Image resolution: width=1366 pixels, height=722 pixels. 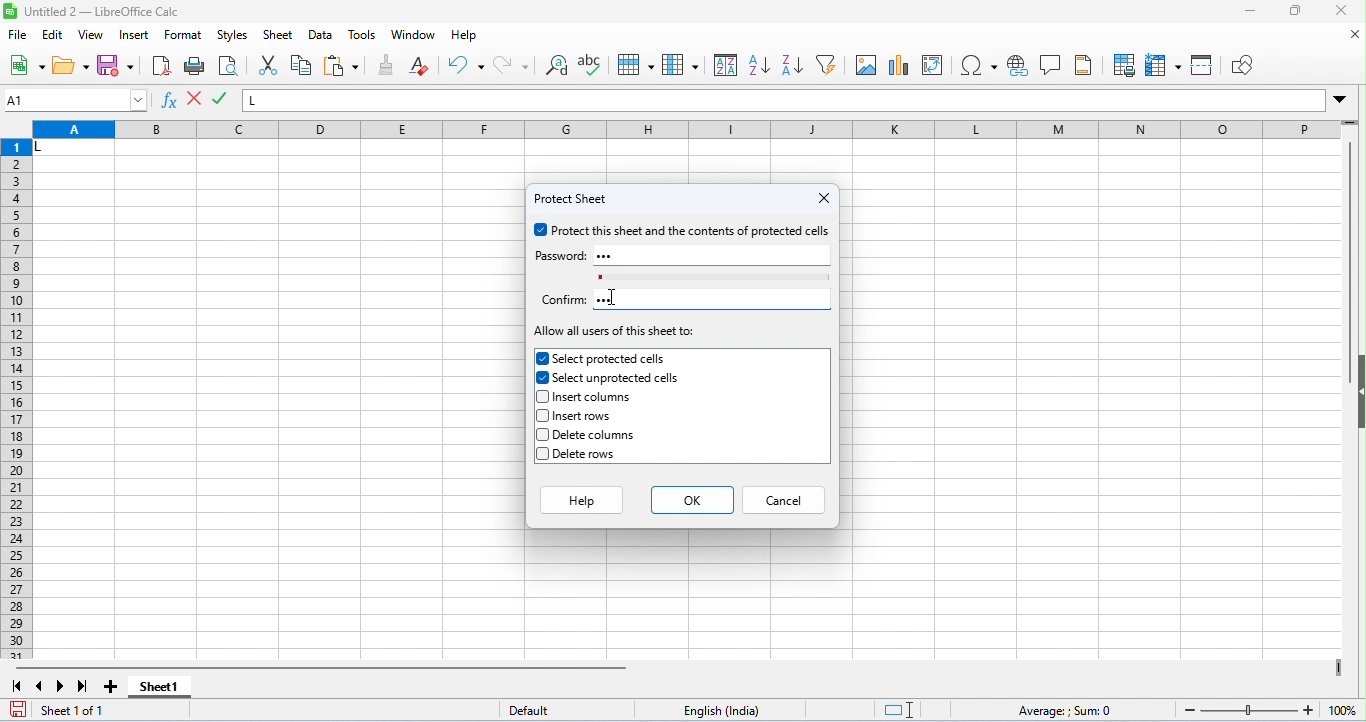 I want to click on add sheet, so click(x=114, y=687).